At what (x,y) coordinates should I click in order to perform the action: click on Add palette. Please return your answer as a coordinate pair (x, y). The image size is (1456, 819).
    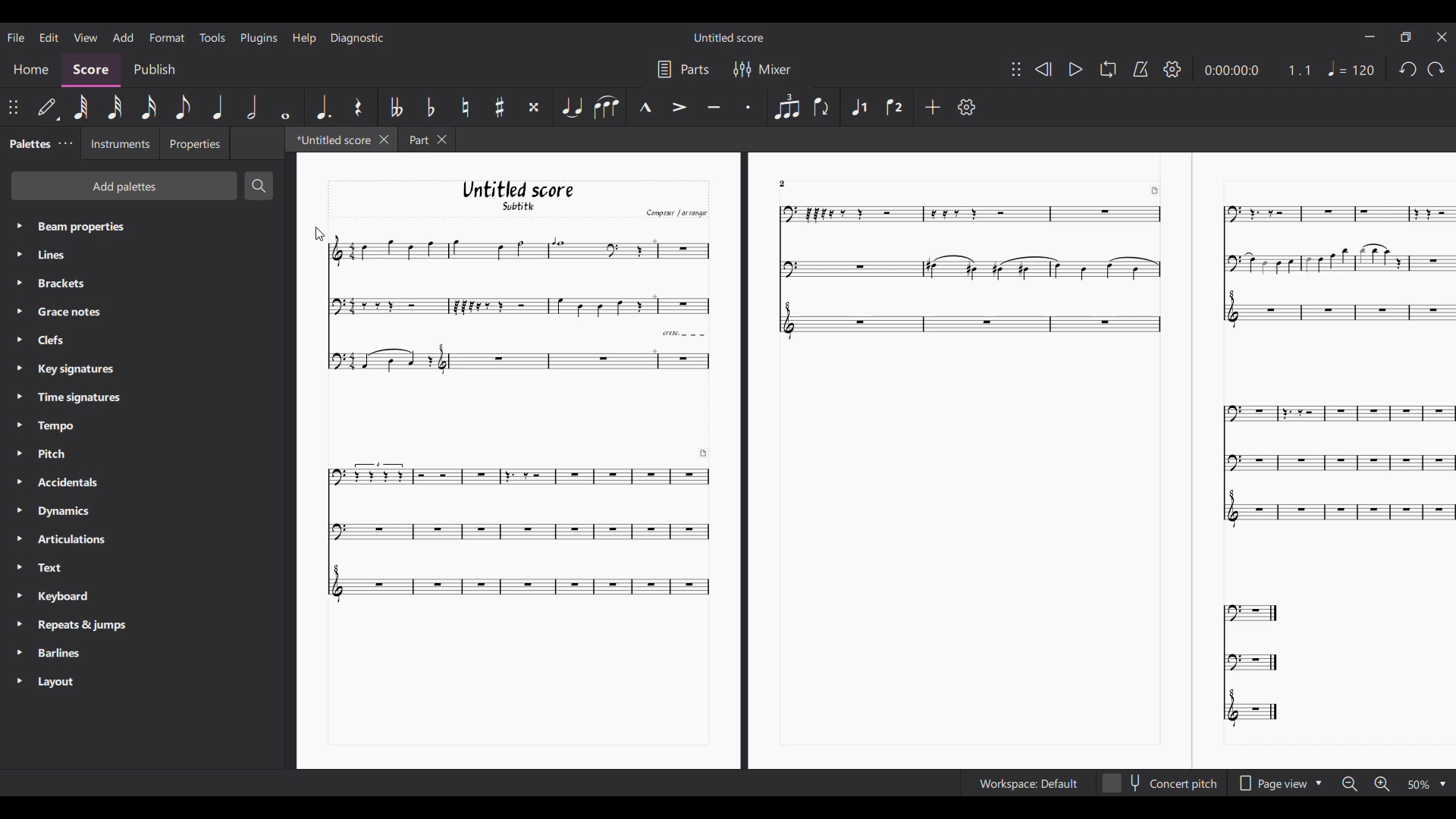
    Looking at the image, I should click on (124, 185).